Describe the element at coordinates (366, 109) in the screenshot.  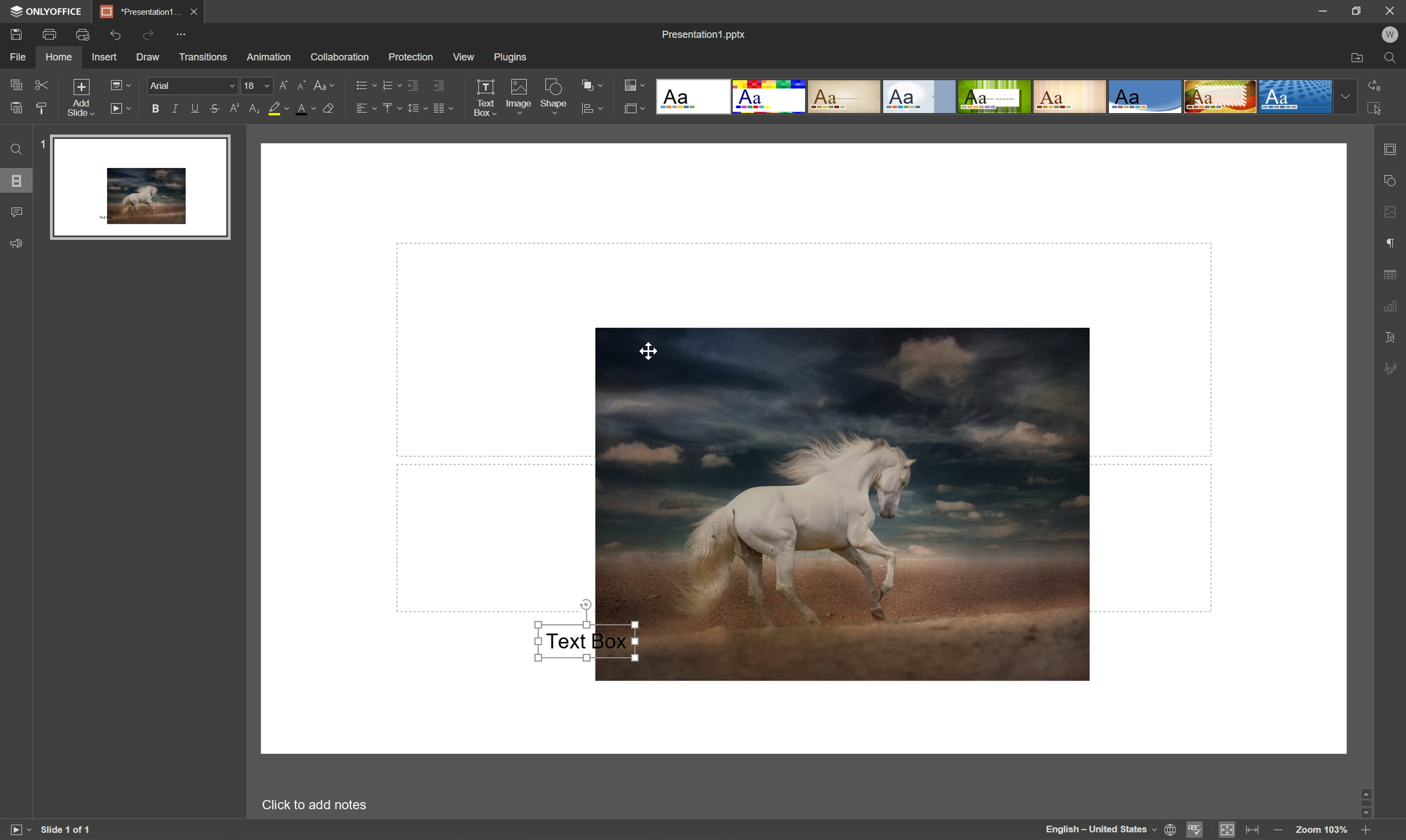
I see `Horizontal align` at that location.